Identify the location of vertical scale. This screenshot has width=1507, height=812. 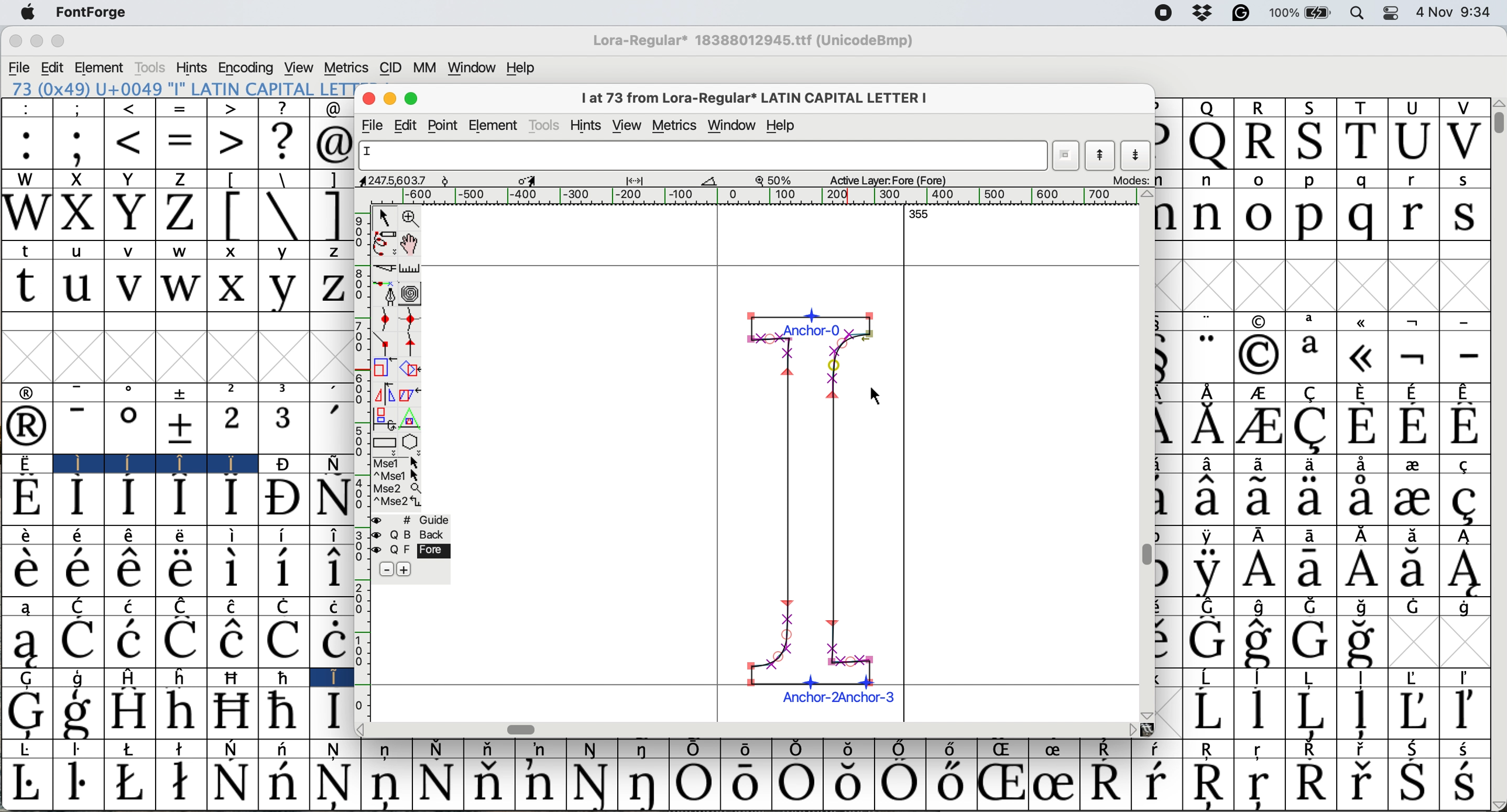
(362, 464).